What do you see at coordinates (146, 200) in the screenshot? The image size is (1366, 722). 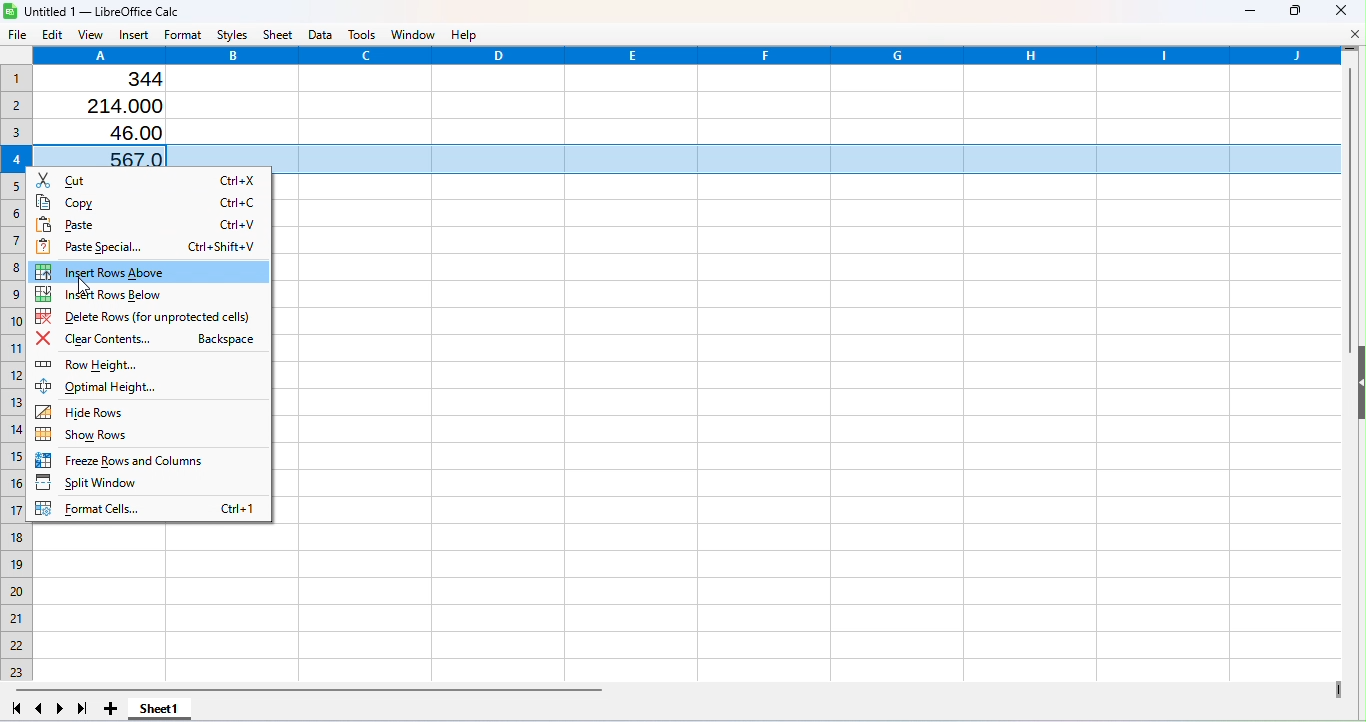 I see `Copy  Ctrl+C` at bounding box center [146, 200].